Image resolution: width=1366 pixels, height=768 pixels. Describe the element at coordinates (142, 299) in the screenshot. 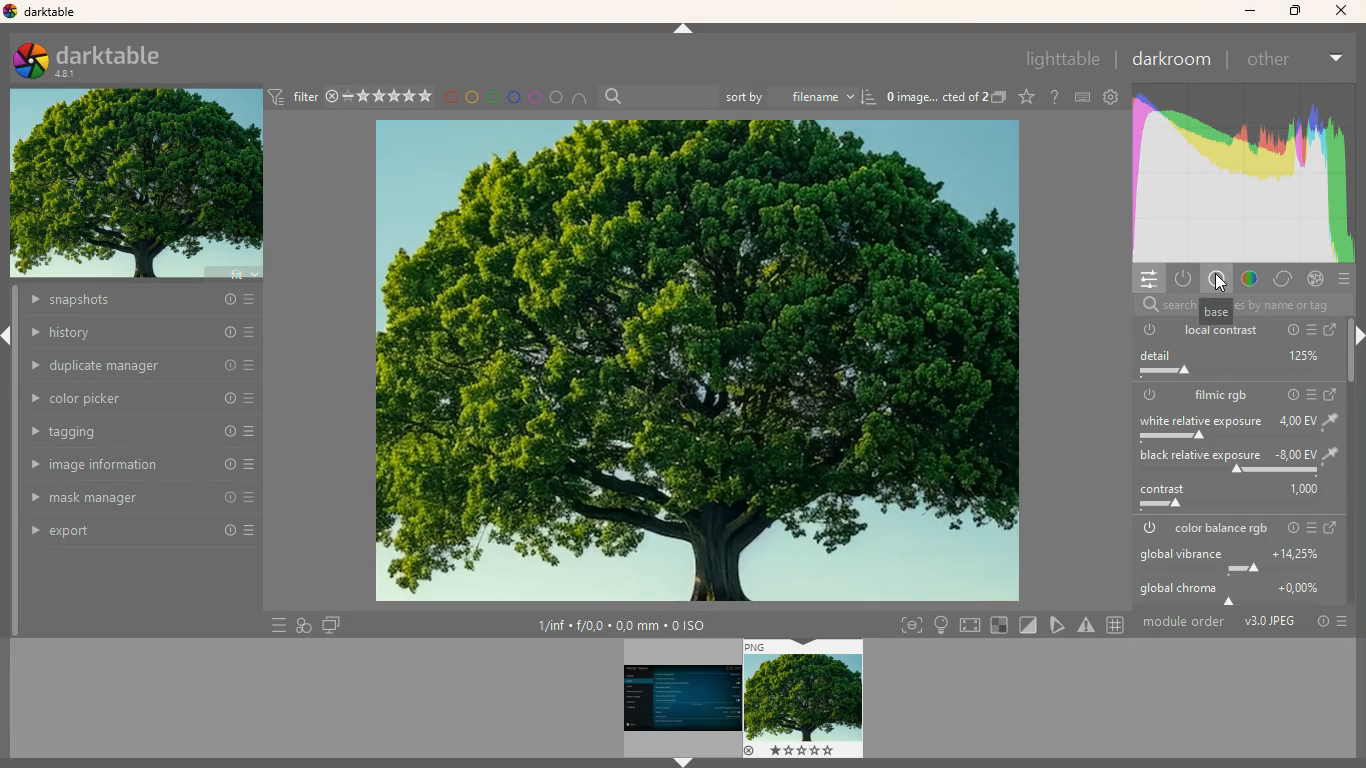

I see `` at that location.